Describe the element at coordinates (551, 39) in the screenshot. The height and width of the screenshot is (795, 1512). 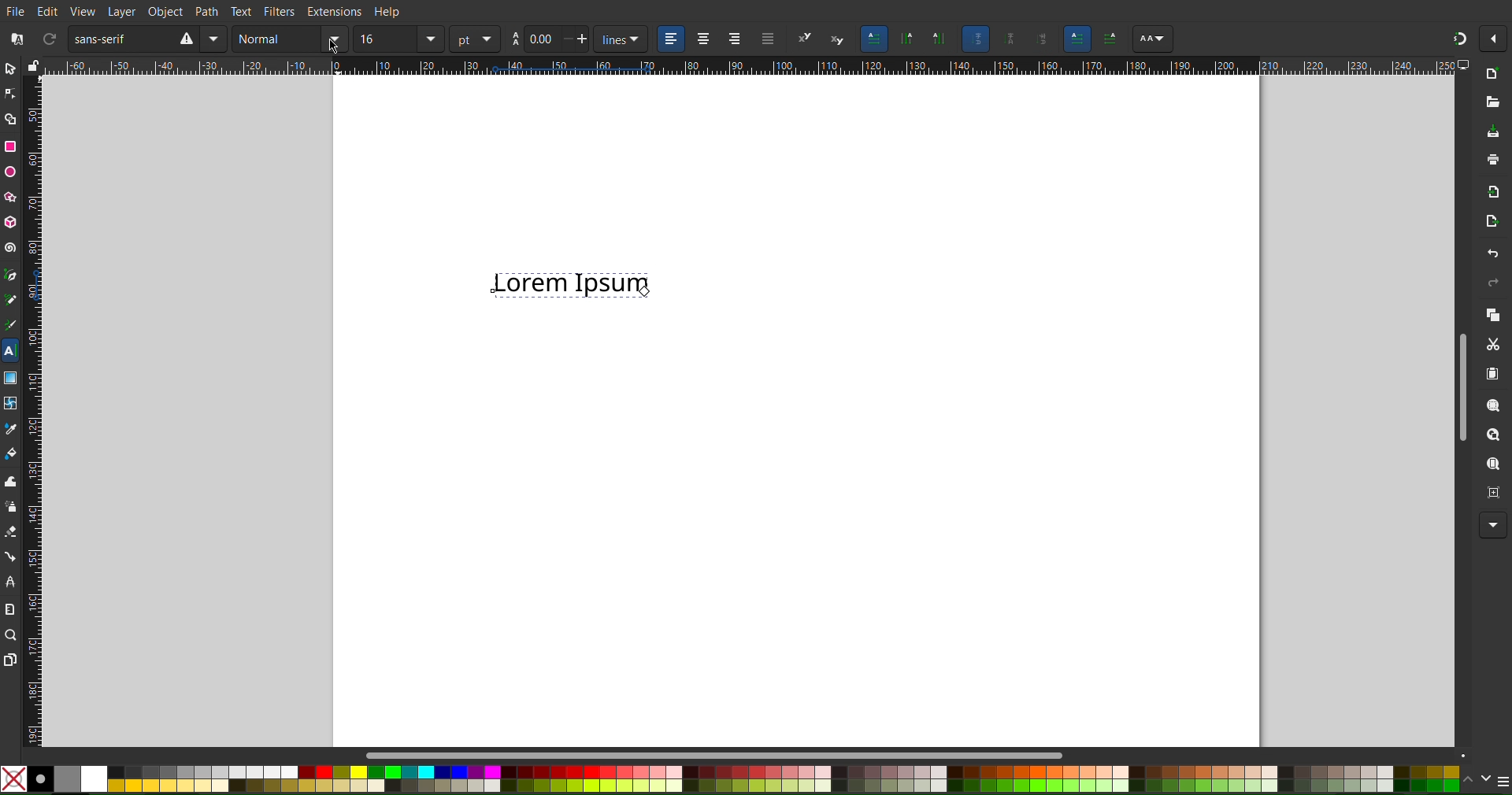
I see `Spacing between lines` at that location.